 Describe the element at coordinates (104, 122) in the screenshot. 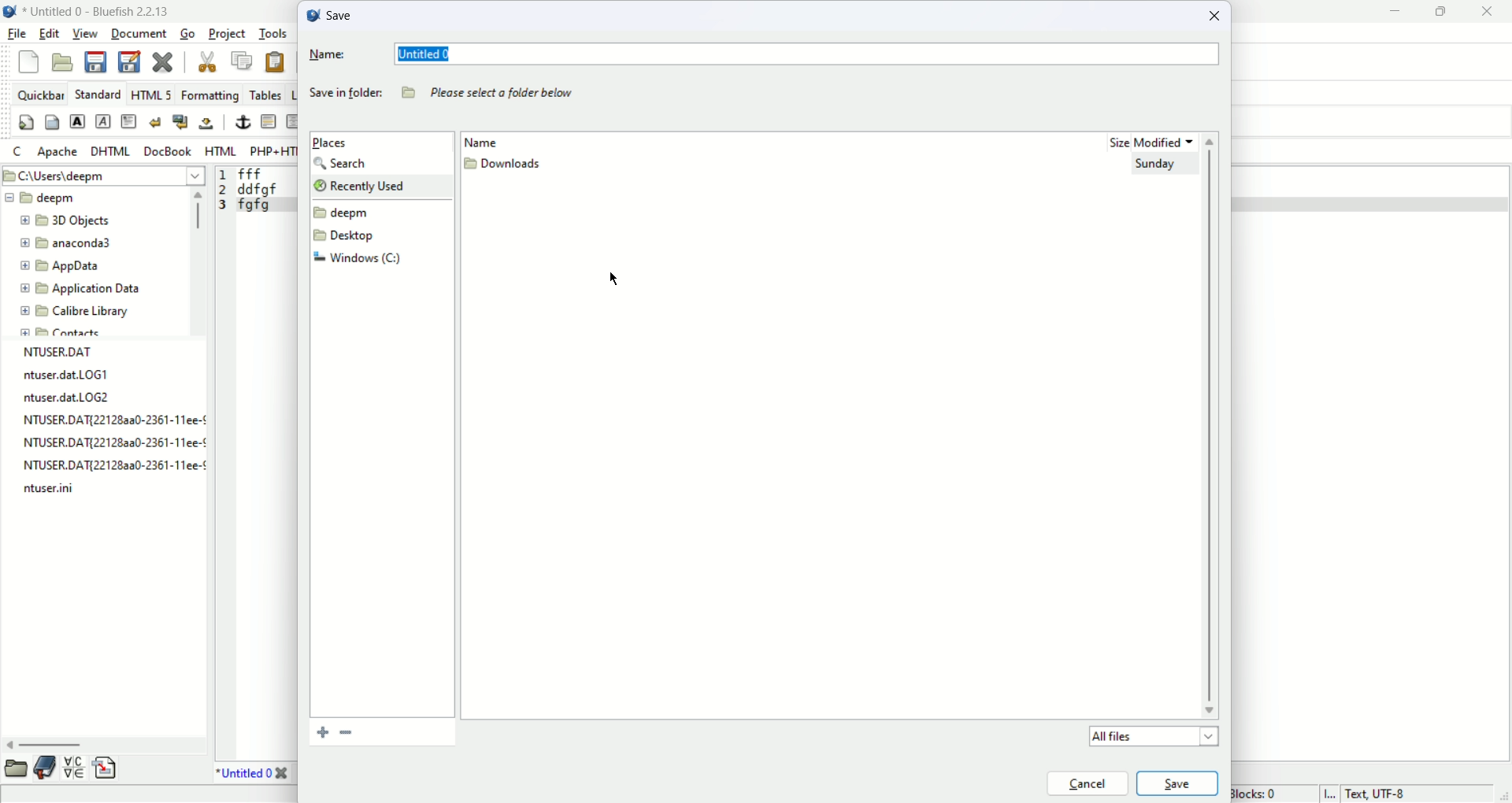

I see `emphasis` at that location.